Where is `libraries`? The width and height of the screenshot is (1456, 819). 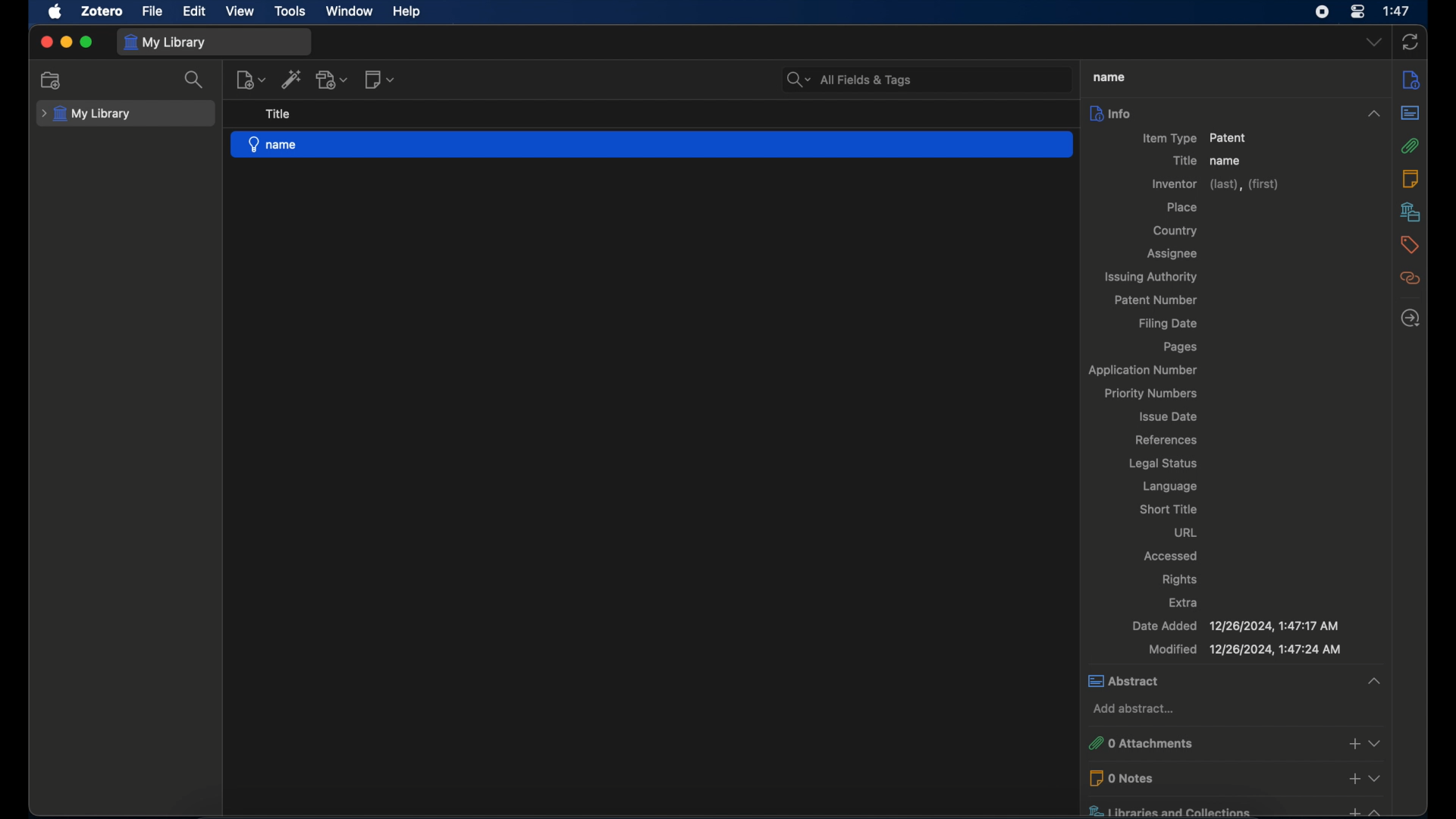 libraries is located at coordinates (1410, 212).